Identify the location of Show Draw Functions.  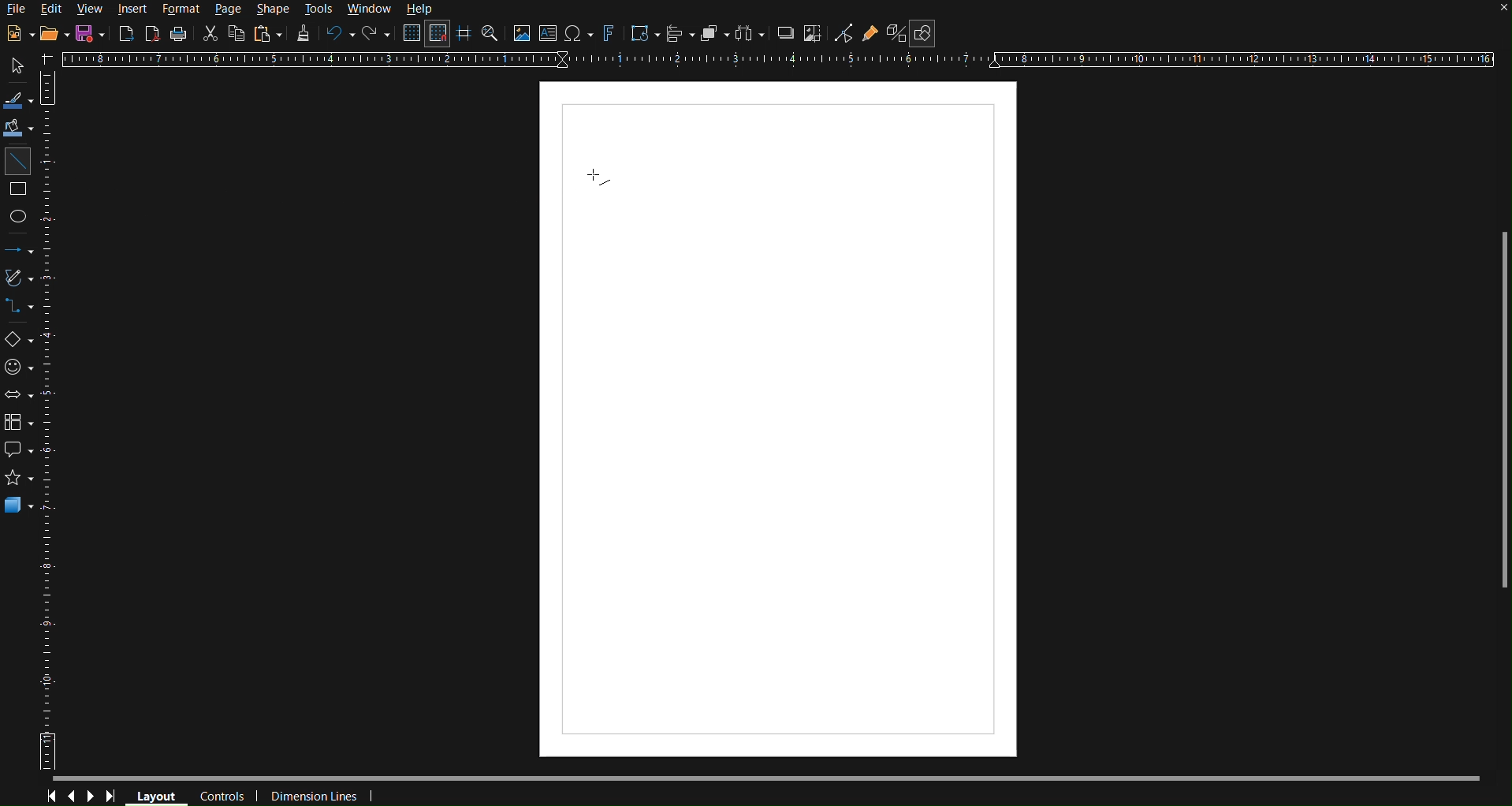
(923, 33).